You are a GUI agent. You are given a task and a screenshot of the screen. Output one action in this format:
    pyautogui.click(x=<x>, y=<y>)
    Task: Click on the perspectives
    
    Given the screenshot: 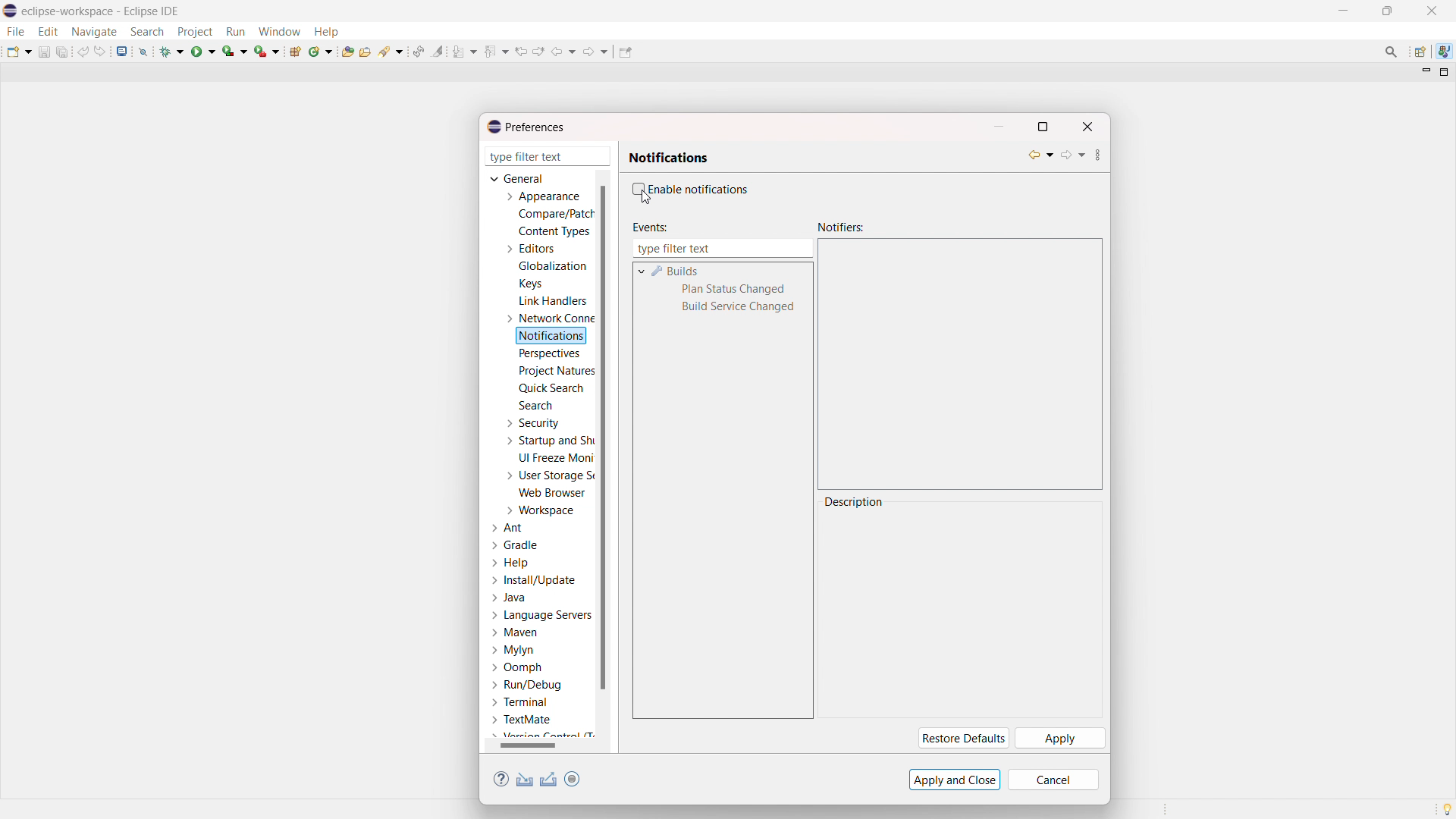 What is the action you would take?
    pyautogui.click(x=548, y=354)
    